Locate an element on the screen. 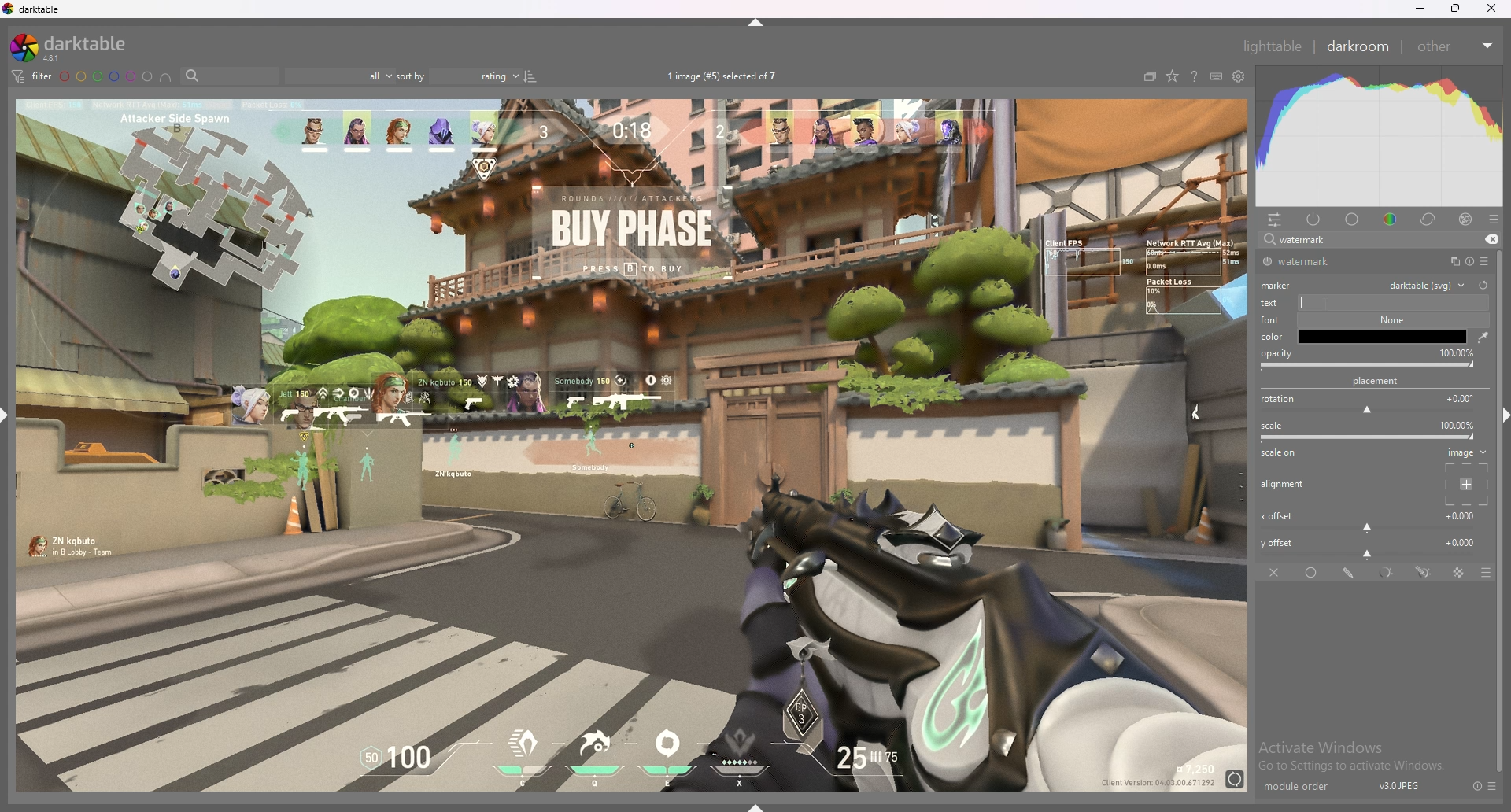 The image size is (1511, 812). lighttable is located at coordinates (1272, 46).